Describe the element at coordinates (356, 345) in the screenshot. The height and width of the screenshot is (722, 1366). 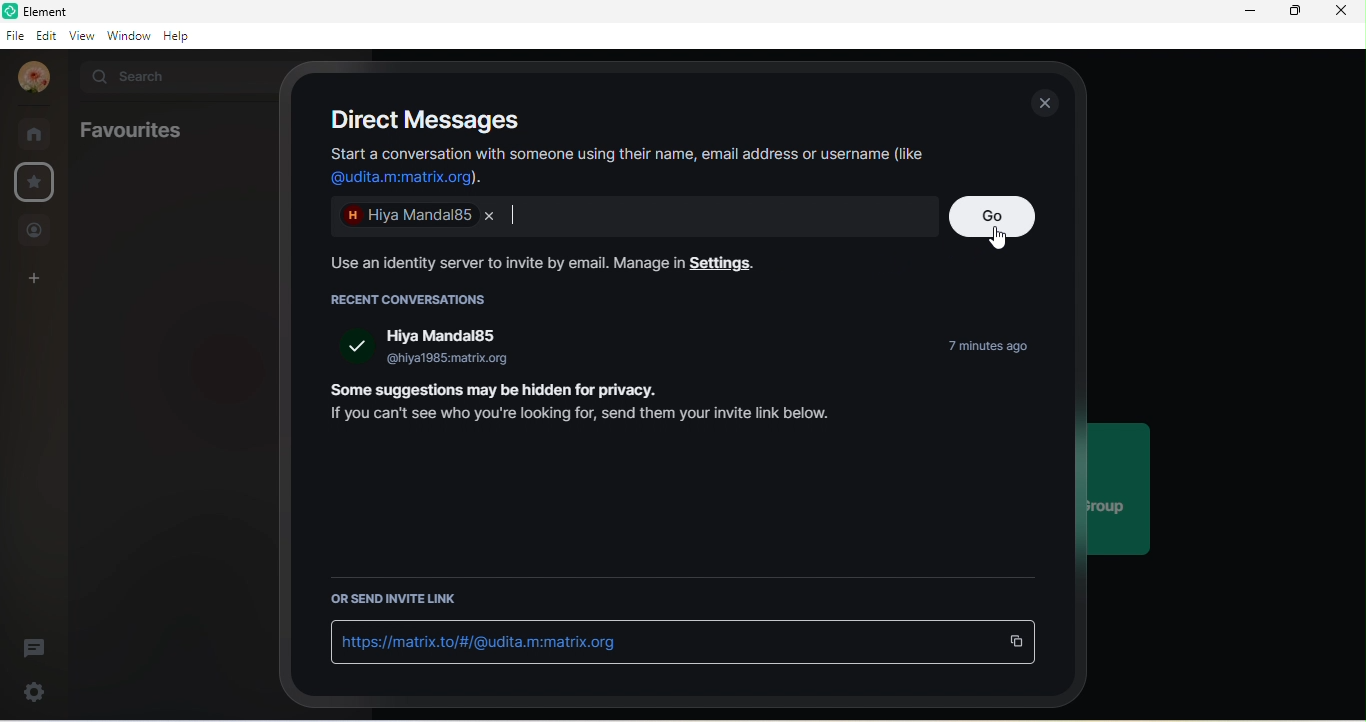
I see `selected` at that location.